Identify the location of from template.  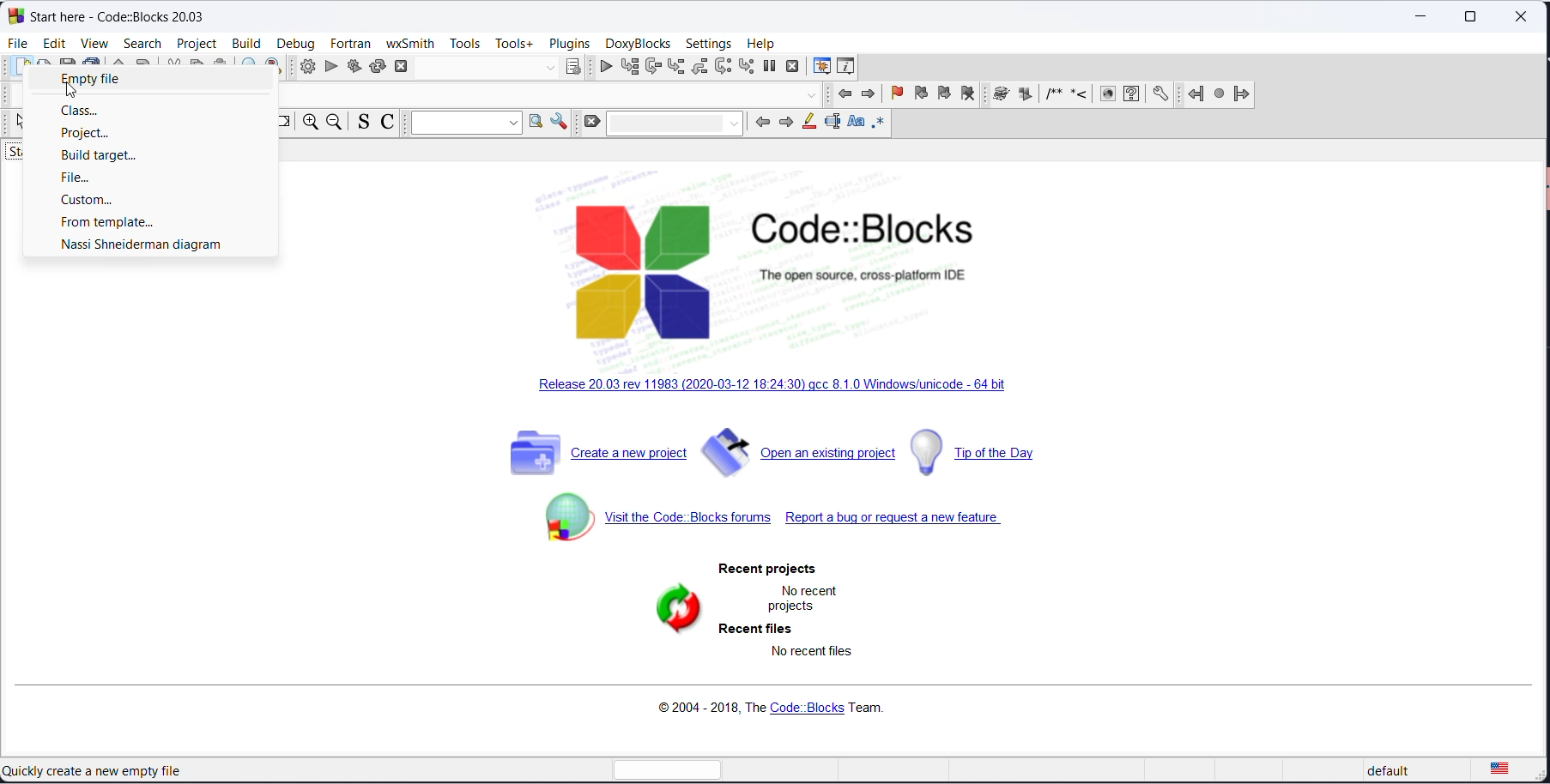
(140, 222).